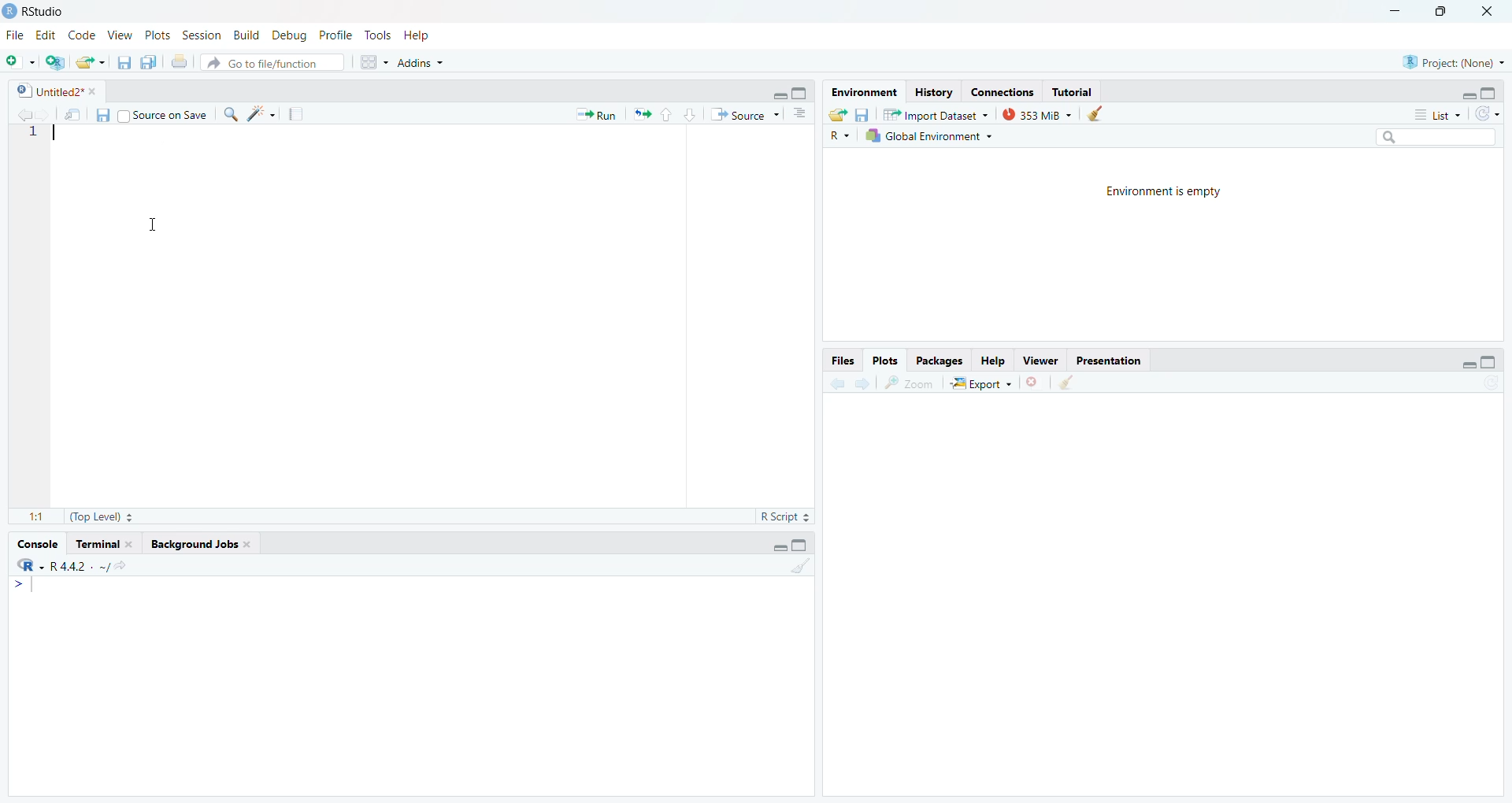 The image size is (1512, 803). Describe the element at coordinates (35, 546) in the screenshot. I see `Console` at that location.